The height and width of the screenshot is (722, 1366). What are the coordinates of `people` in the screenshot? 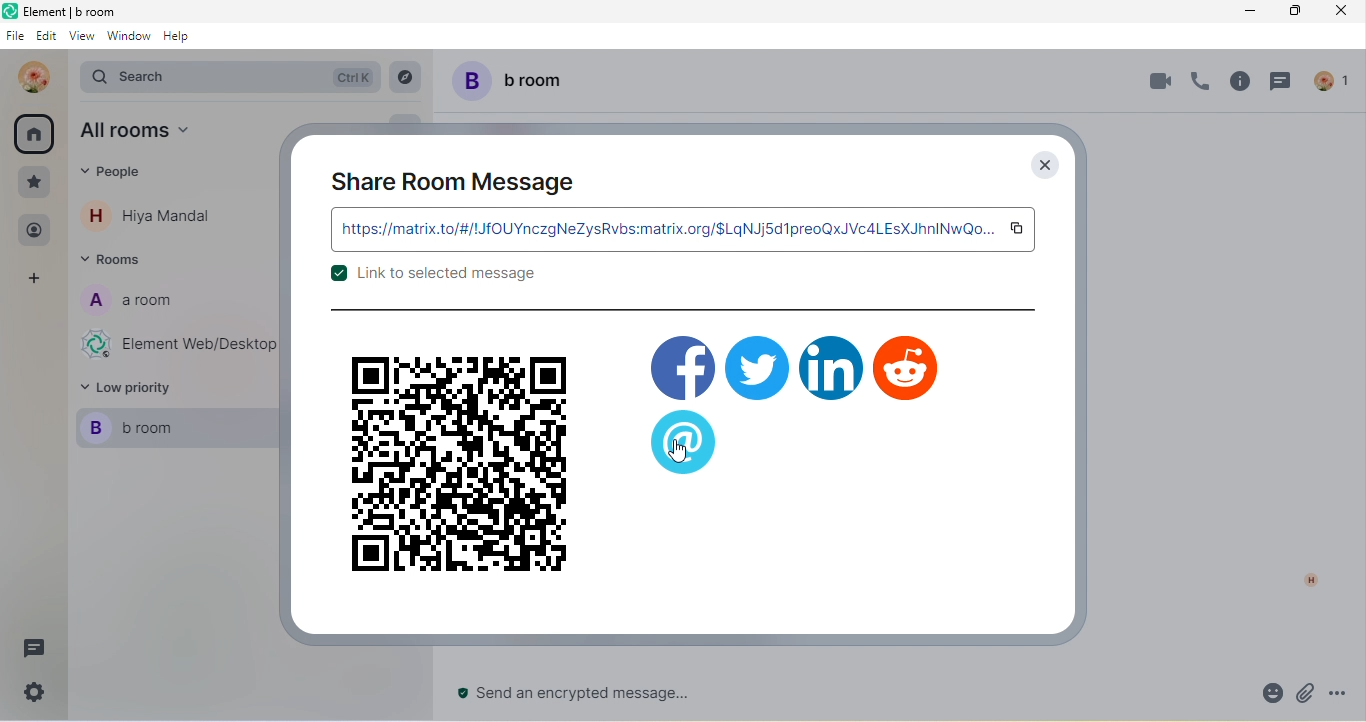 It's located at (34, 231).